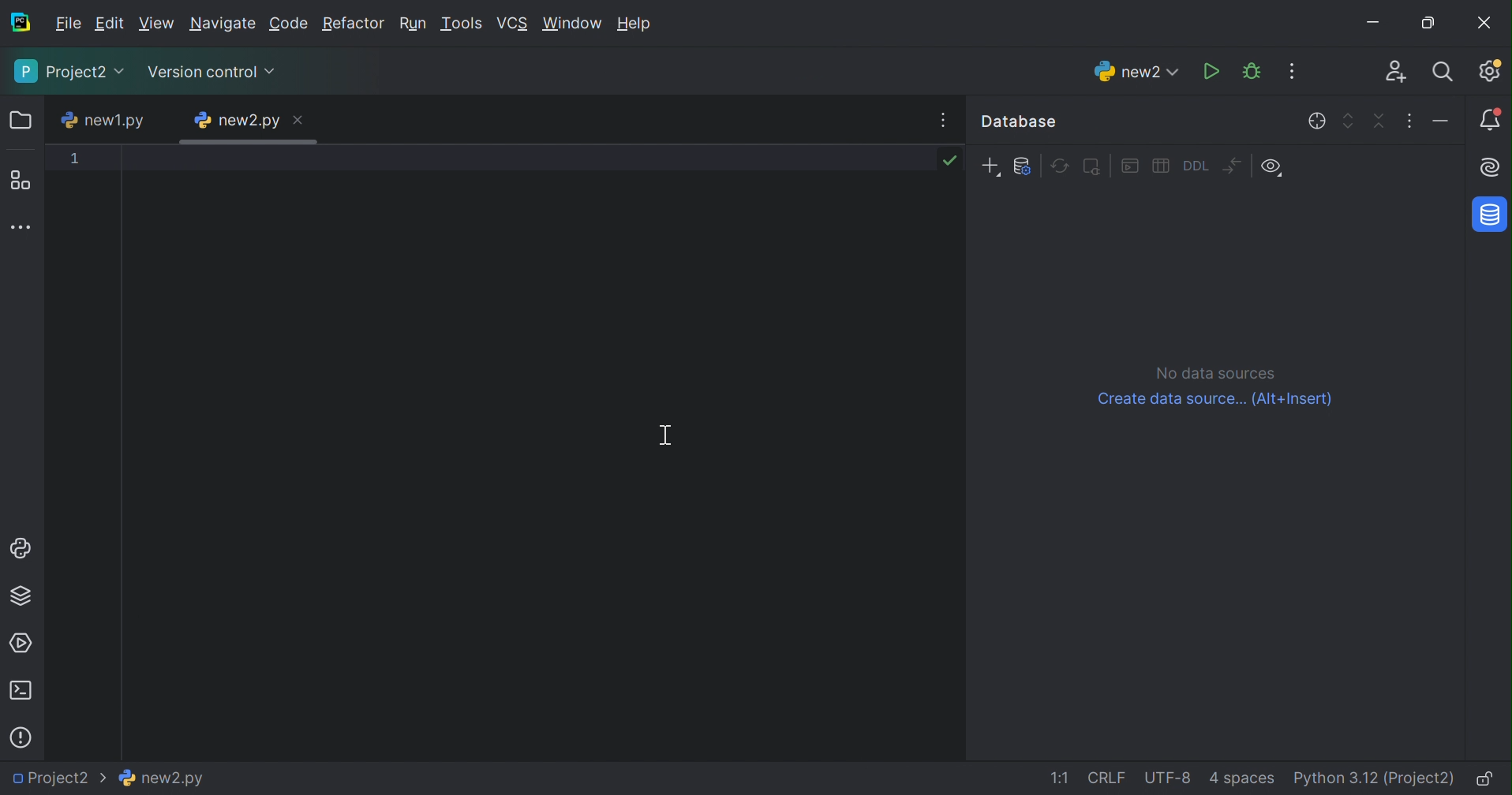 This screenshot has width=1512, height=795. I want to click on No data sources, so click(1216, 372).